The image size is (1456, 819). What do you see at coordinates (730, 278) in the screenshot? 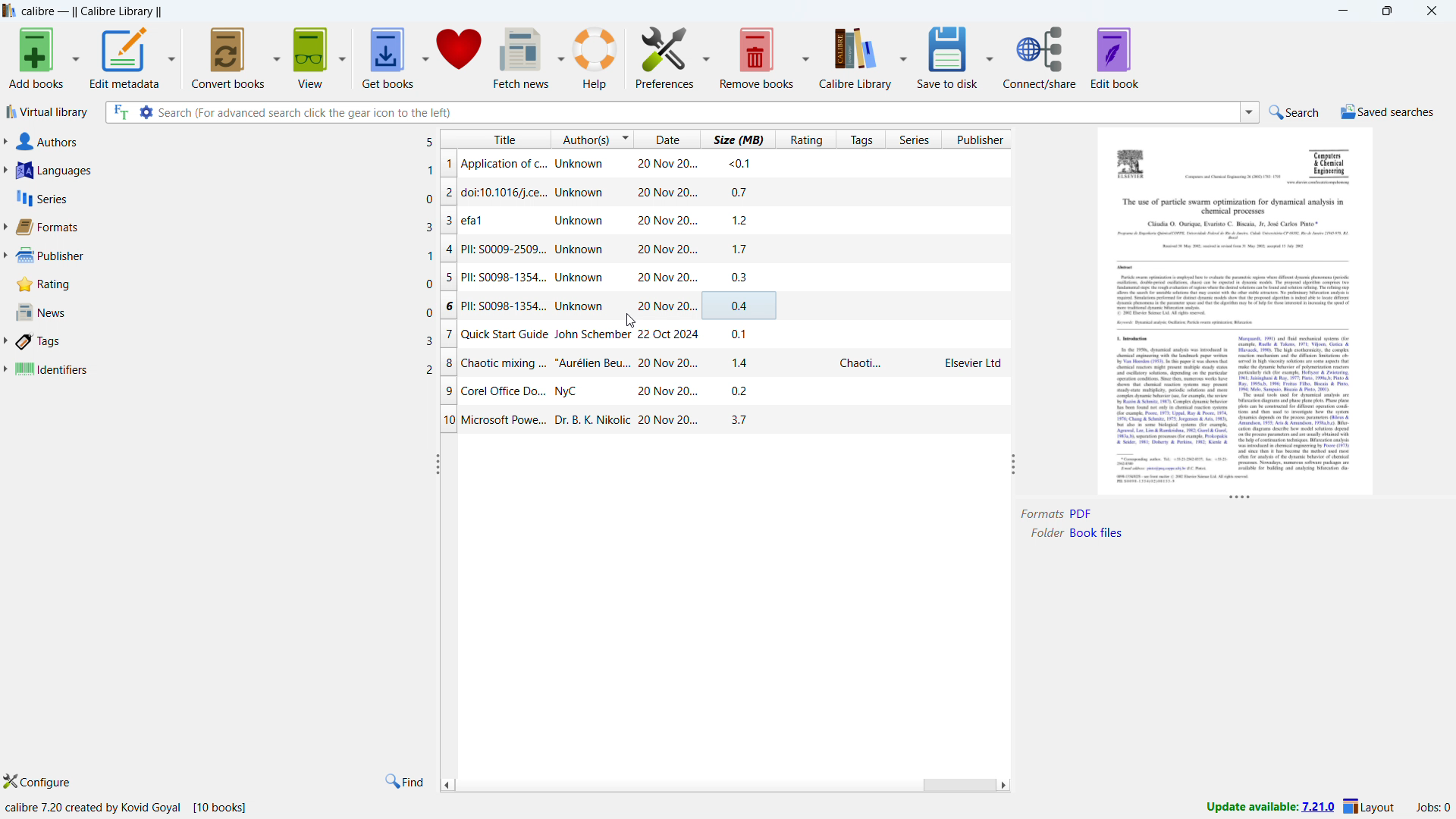
I see `PII: S0098-1354...` at bounding box center [730, 278].